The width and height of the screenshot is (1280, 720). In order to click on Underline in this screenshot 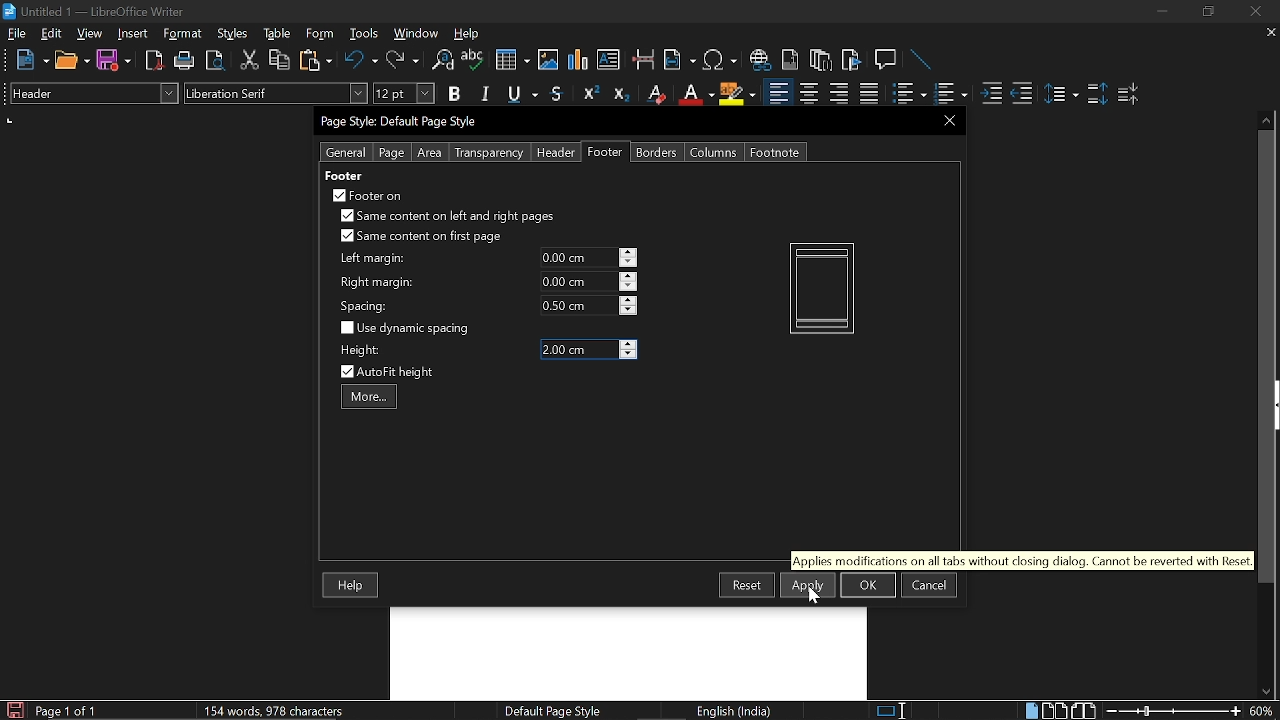, I will do `click(695, 94)`.